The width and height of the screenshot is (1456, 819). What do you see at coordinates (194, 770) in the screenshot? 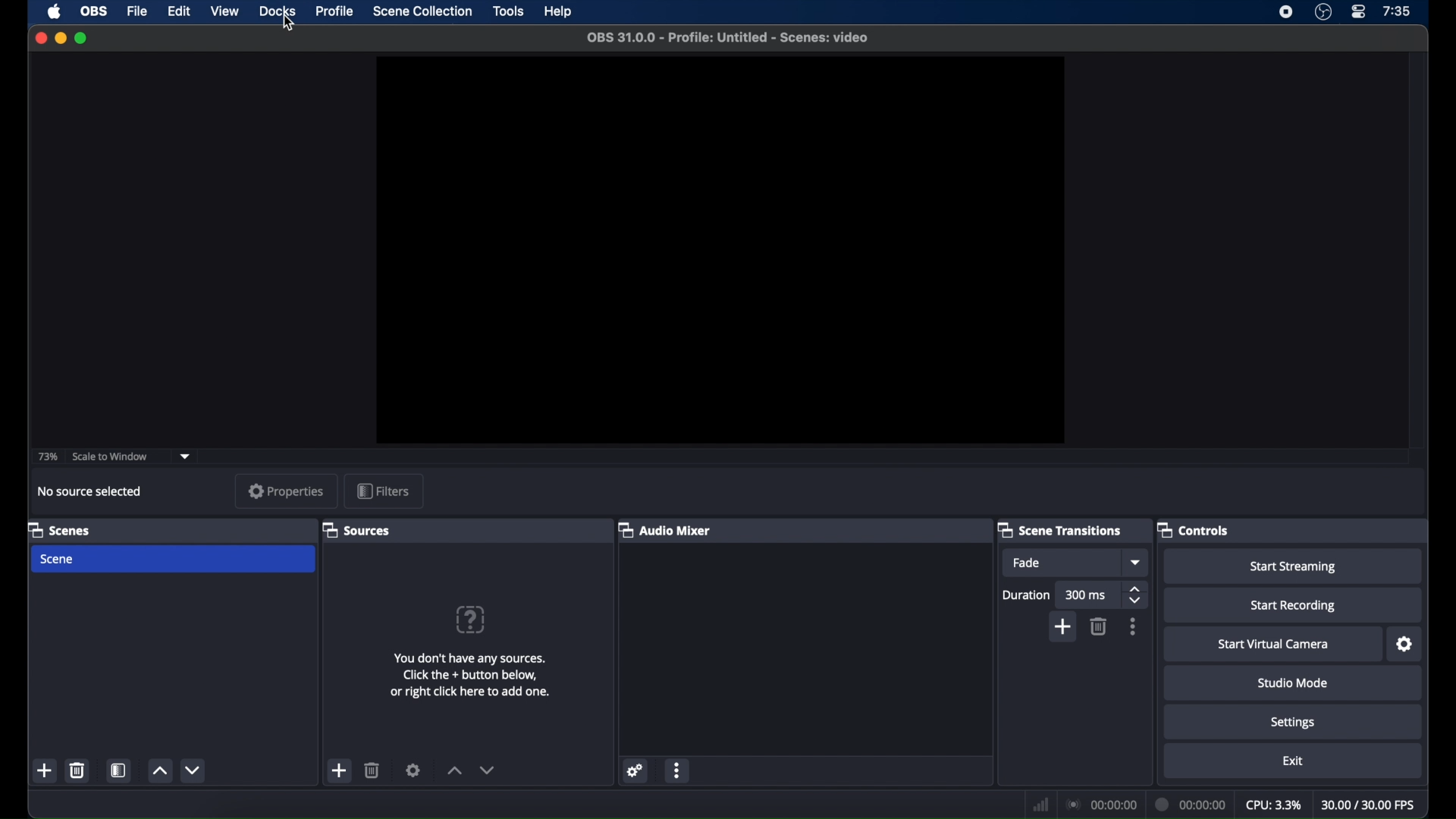
I see `decrement` at bounding box center [194, 770].